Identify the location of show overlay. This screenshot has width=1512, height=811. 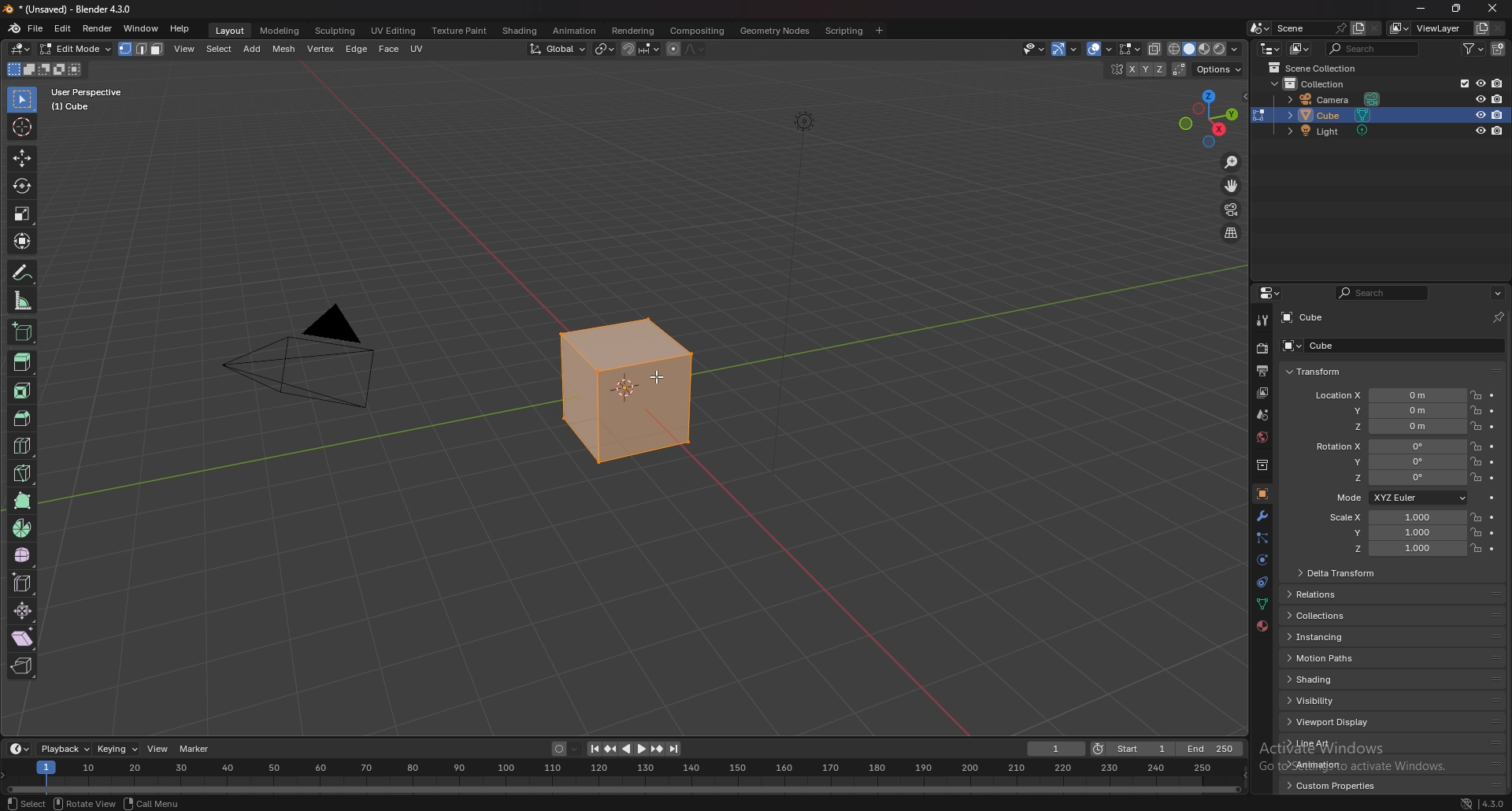
(1097, 50).